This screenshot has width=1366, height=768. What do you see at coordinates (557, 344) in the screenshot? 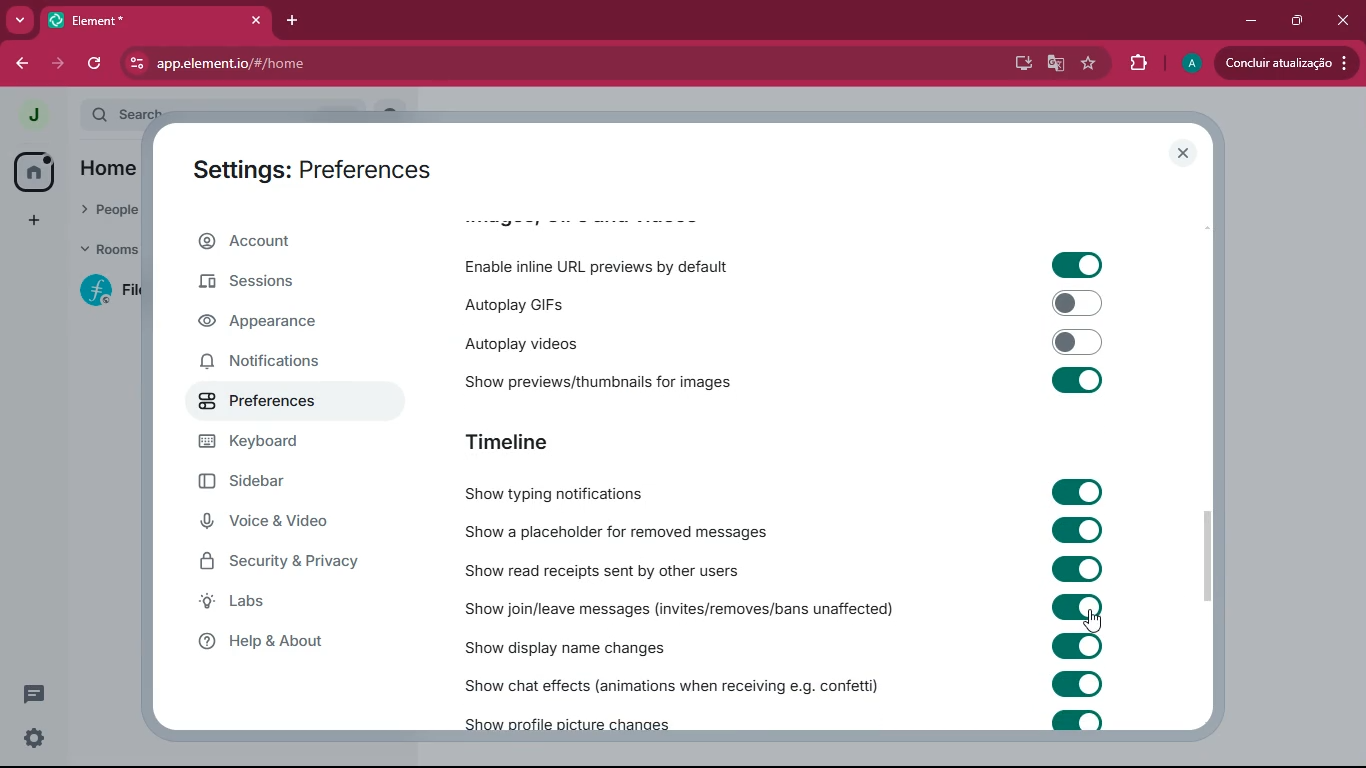
I see `autoplay videos` at bounding box center [557, 344].